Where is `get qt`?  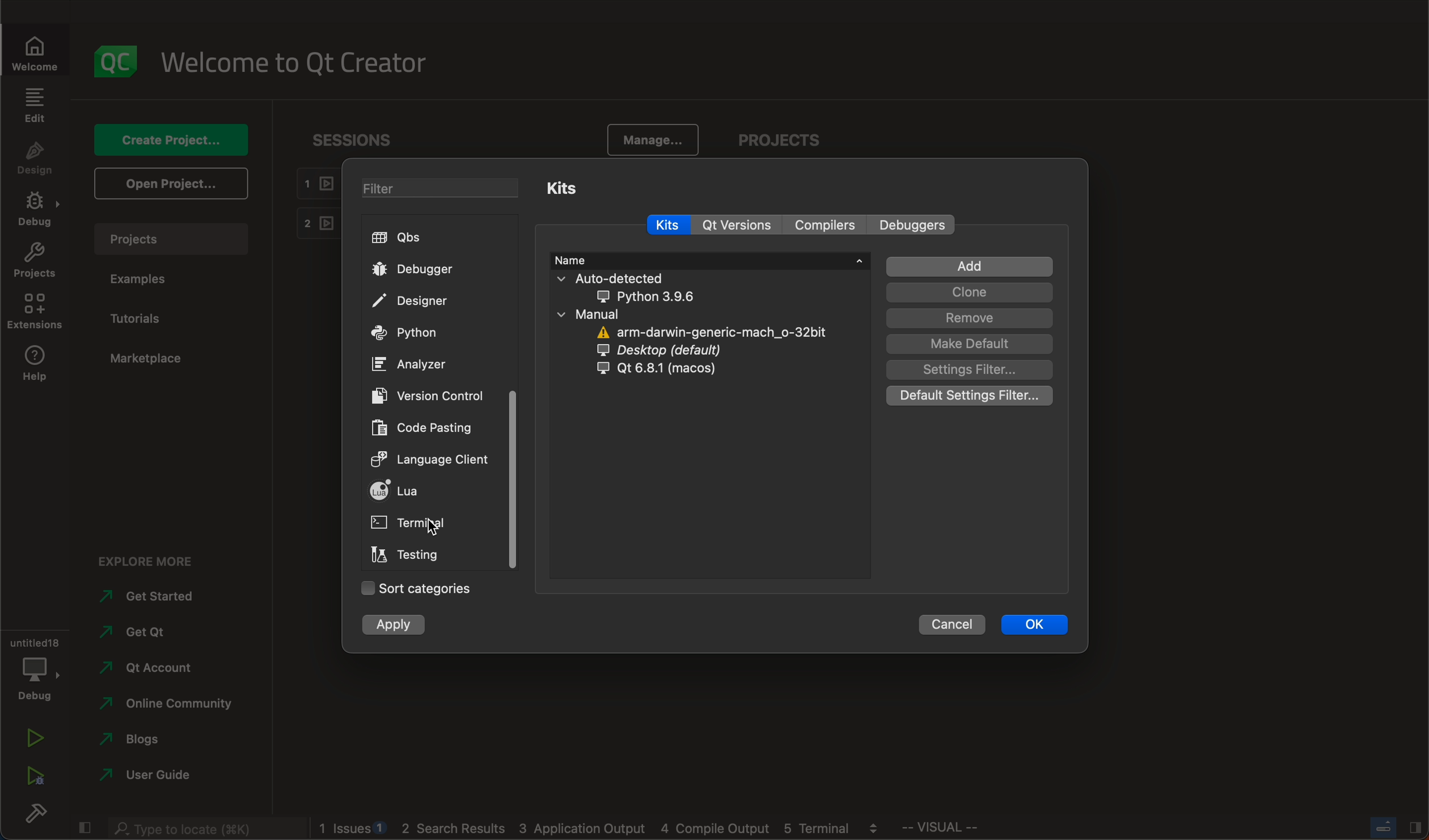
get qt is located at coordinates (164, 632).